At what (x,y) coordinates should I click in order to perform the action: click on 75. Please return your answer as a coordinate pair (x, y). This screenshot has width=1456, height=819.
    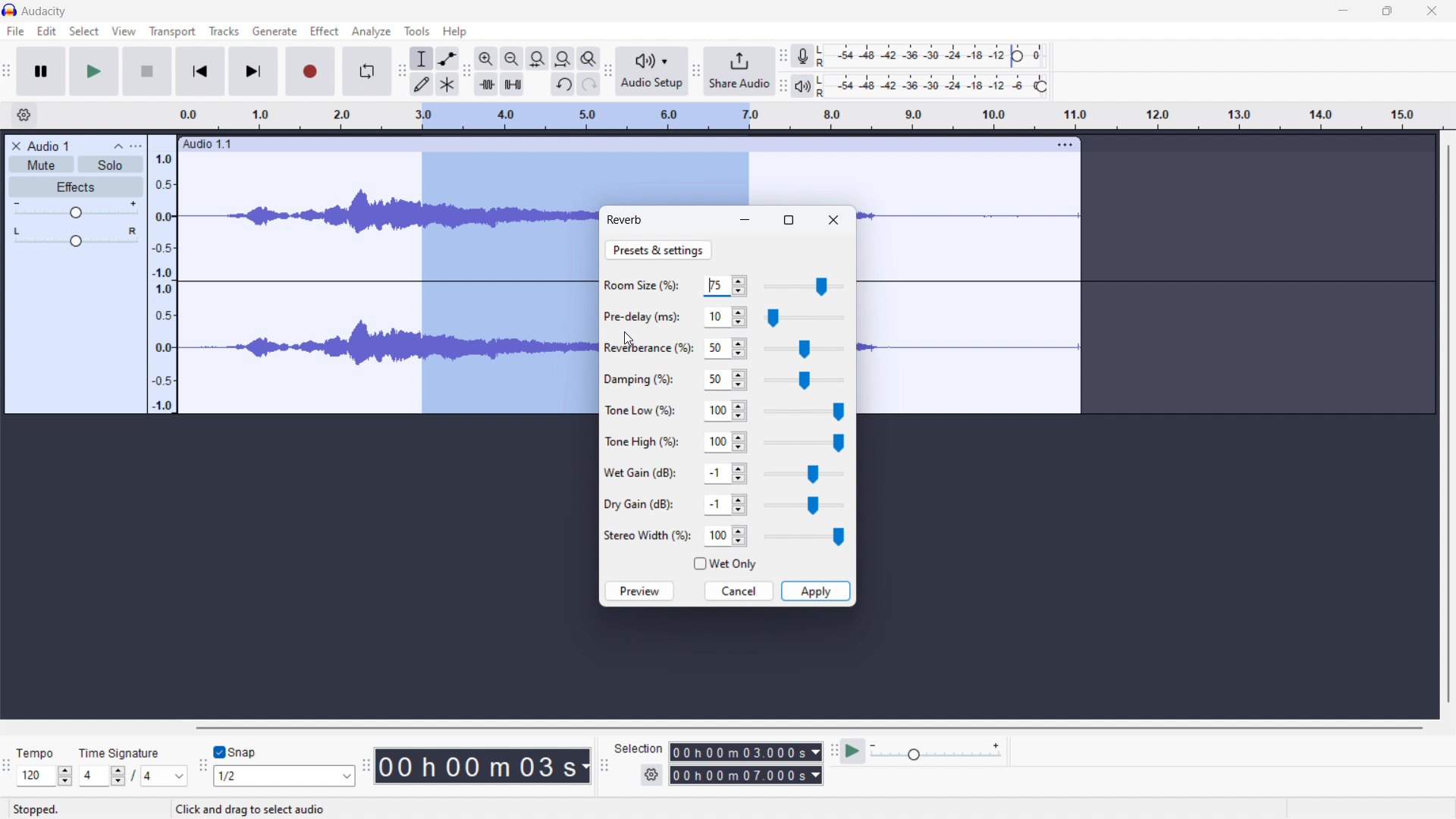
    Looking at the image, I should click on (725, 286).